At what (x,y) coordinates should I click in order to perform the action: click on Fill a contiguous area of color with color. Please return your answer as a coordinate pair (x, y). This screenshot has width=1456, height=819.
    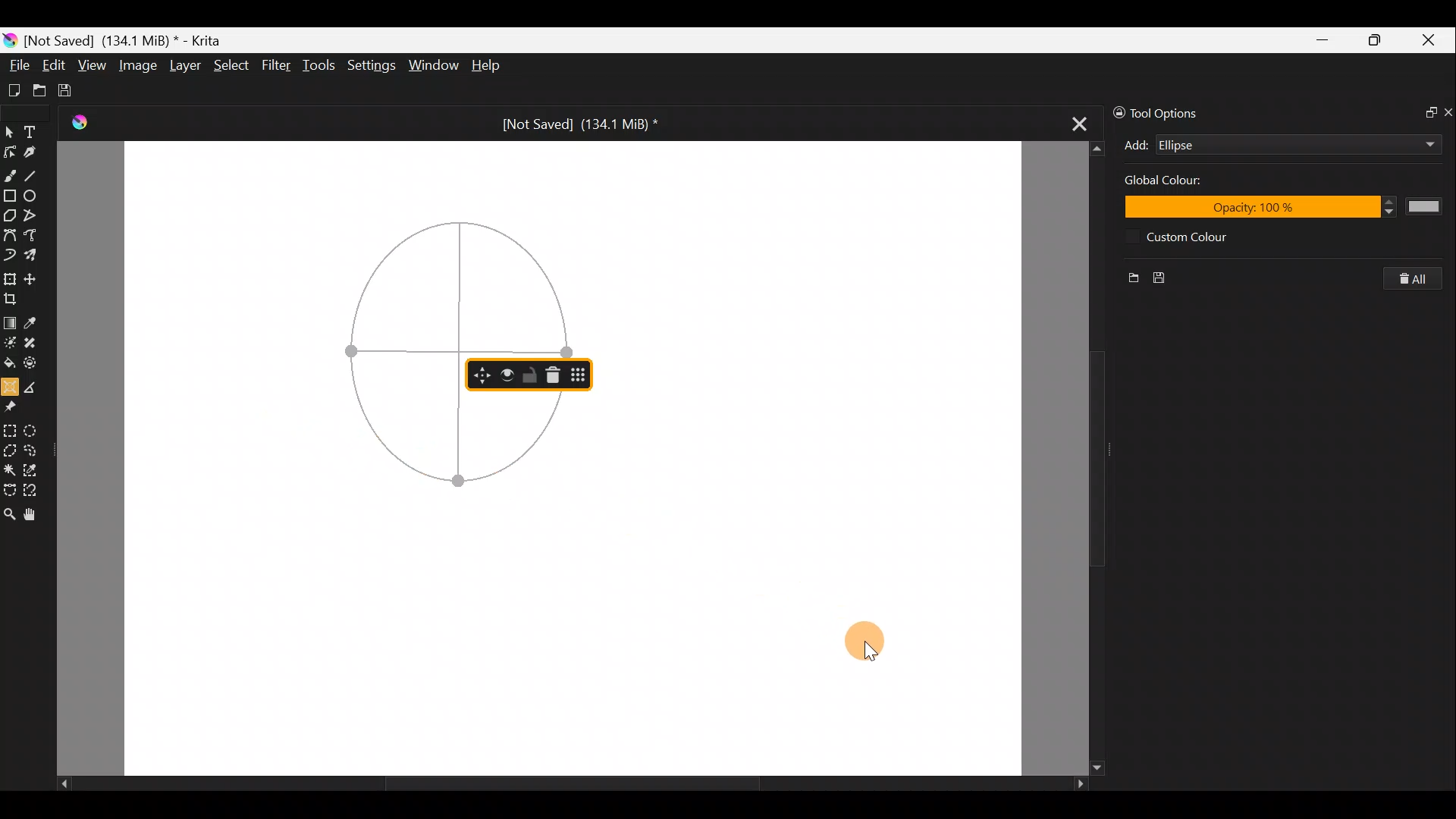
    Looking at the image, I should click on (9, 363).